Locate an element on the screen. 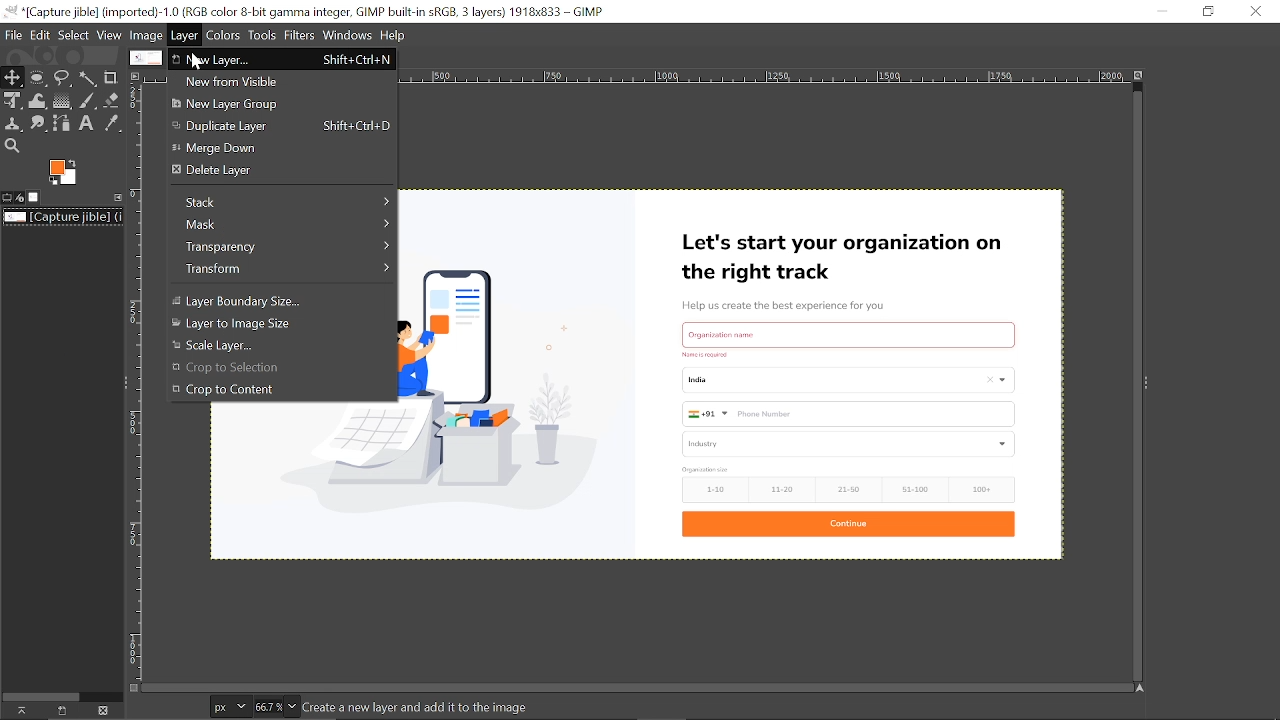 The width and height of the screenshot is (1280, 720). Edit is located at coordinates (41, 36).